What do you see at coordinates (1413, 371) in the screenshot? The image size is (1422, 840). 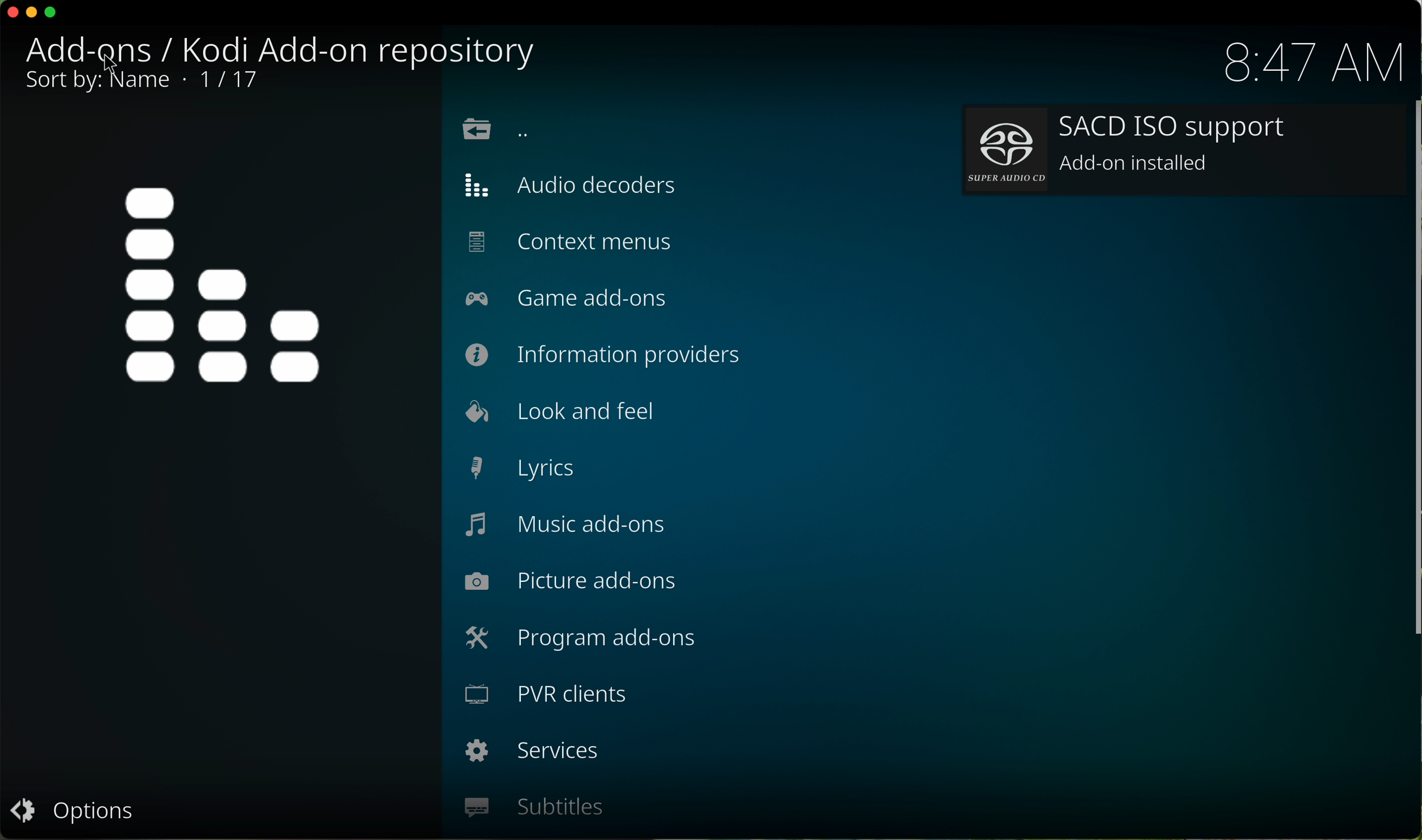 I see `scroll bar` at bounding box center [1413, 371].